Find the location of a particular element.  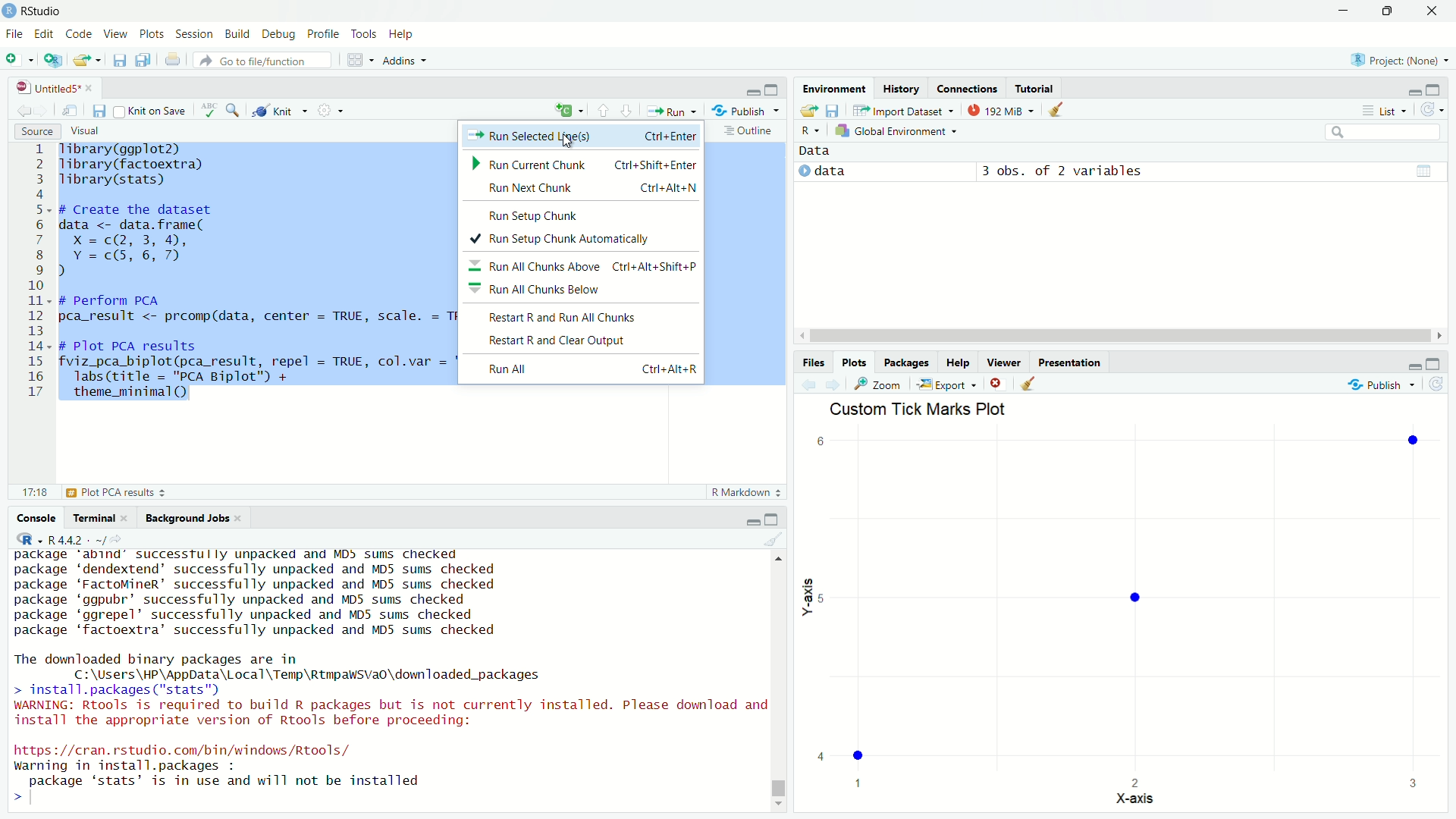

publish is located at coordinates (747, 111).